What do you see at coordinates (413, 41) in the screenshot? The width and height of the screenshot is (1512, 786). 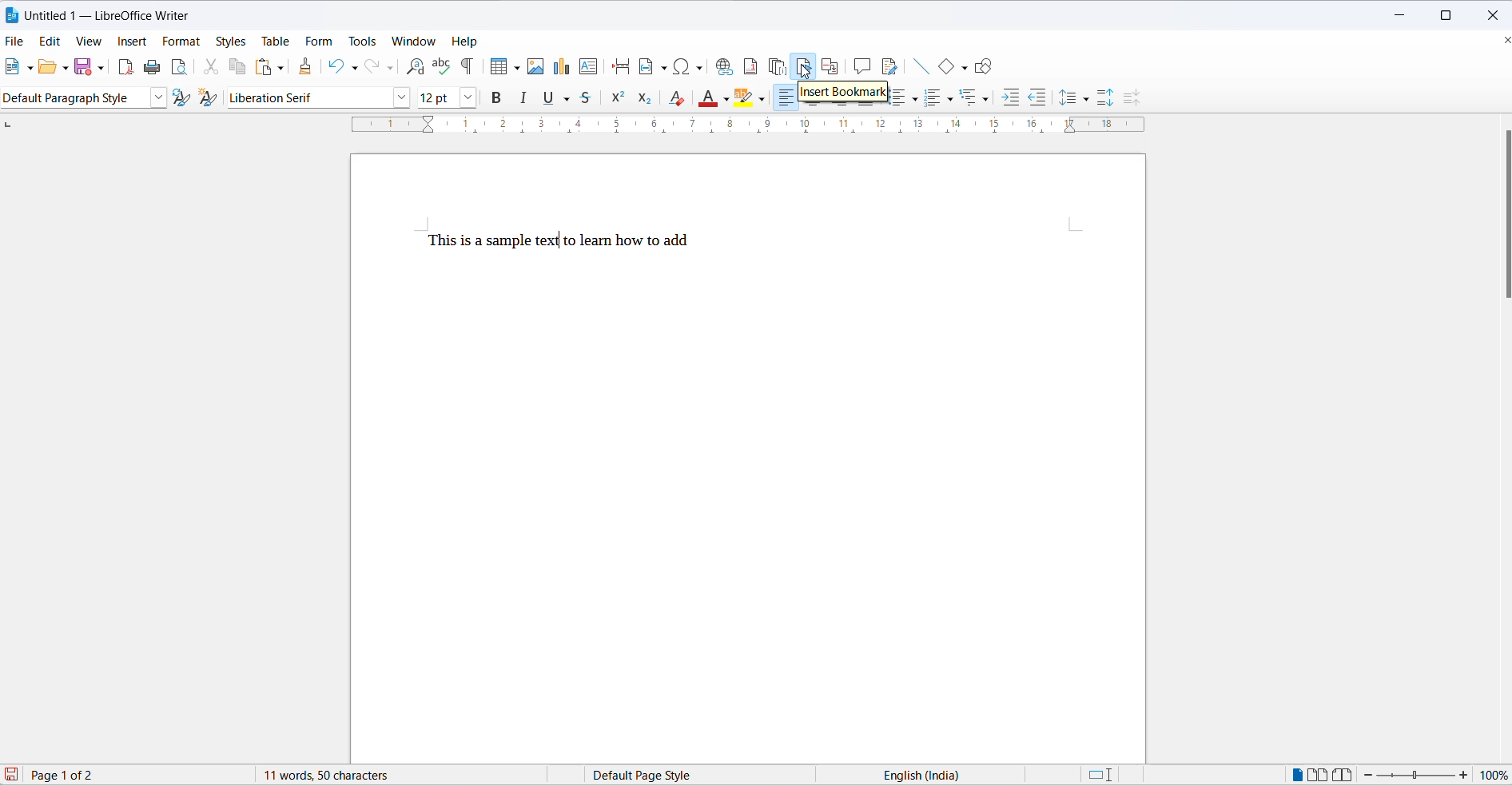 I see `window` at bounding box center [413, 41].